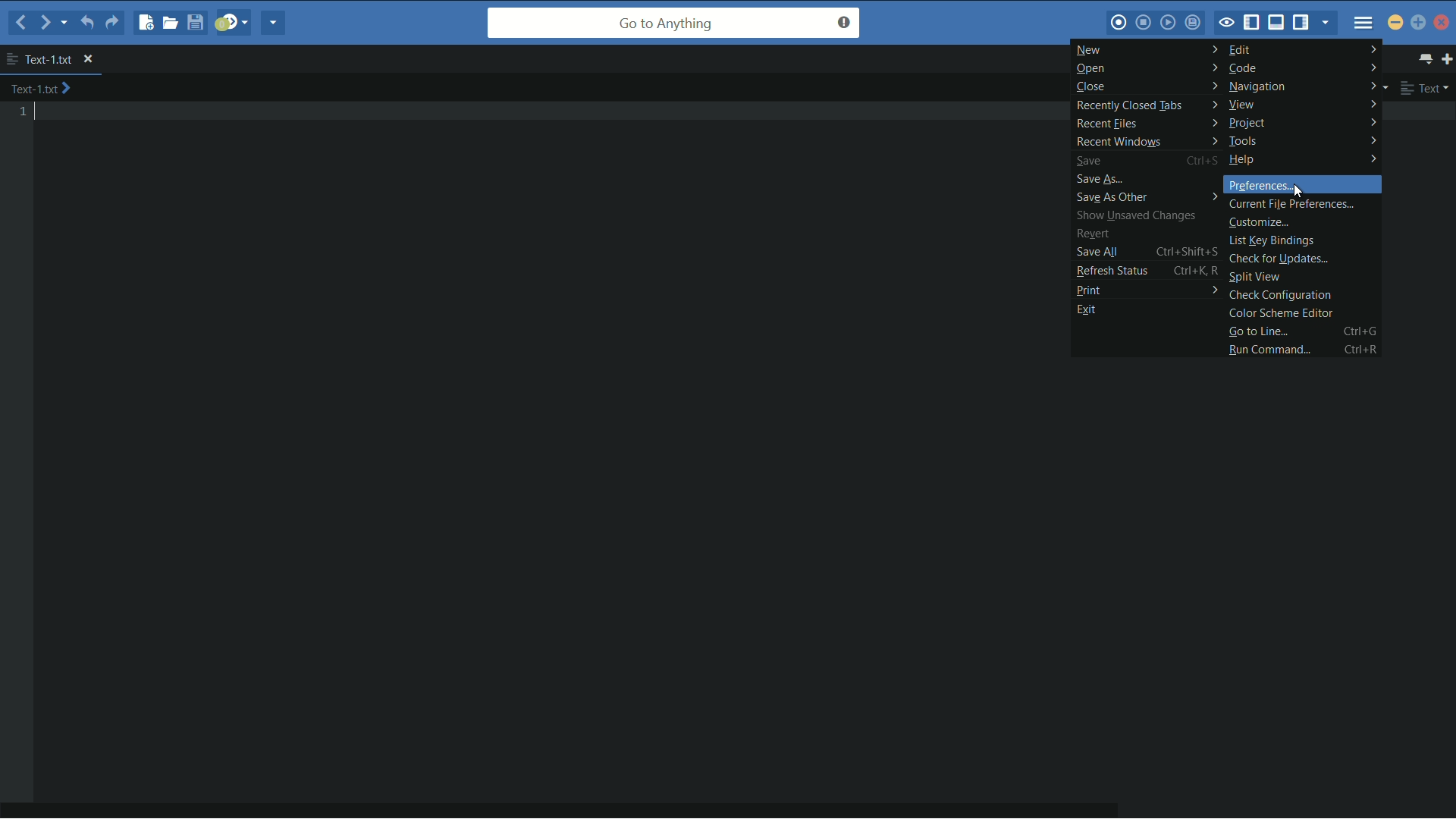 The width and height of the screenshot is (1456, 819). I want to click on recent location, so click(62, 25).